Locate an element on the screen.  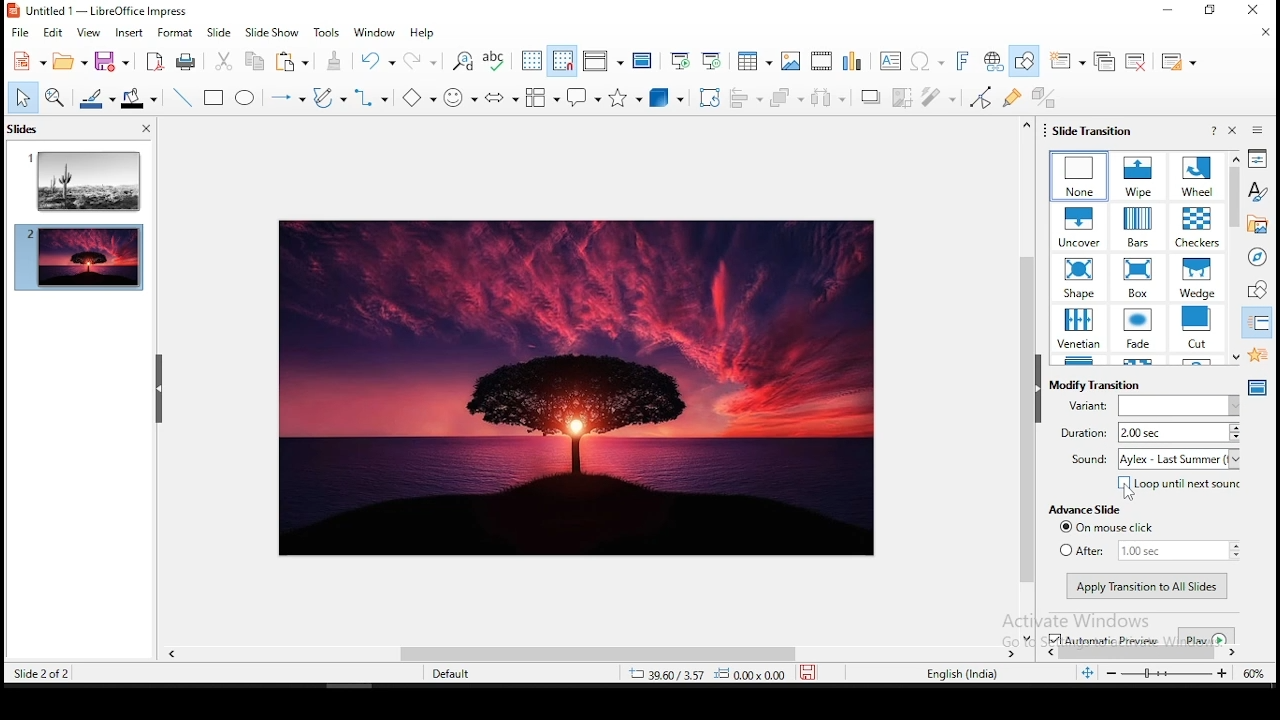
slide transition is located at coordinates (1094, 130).